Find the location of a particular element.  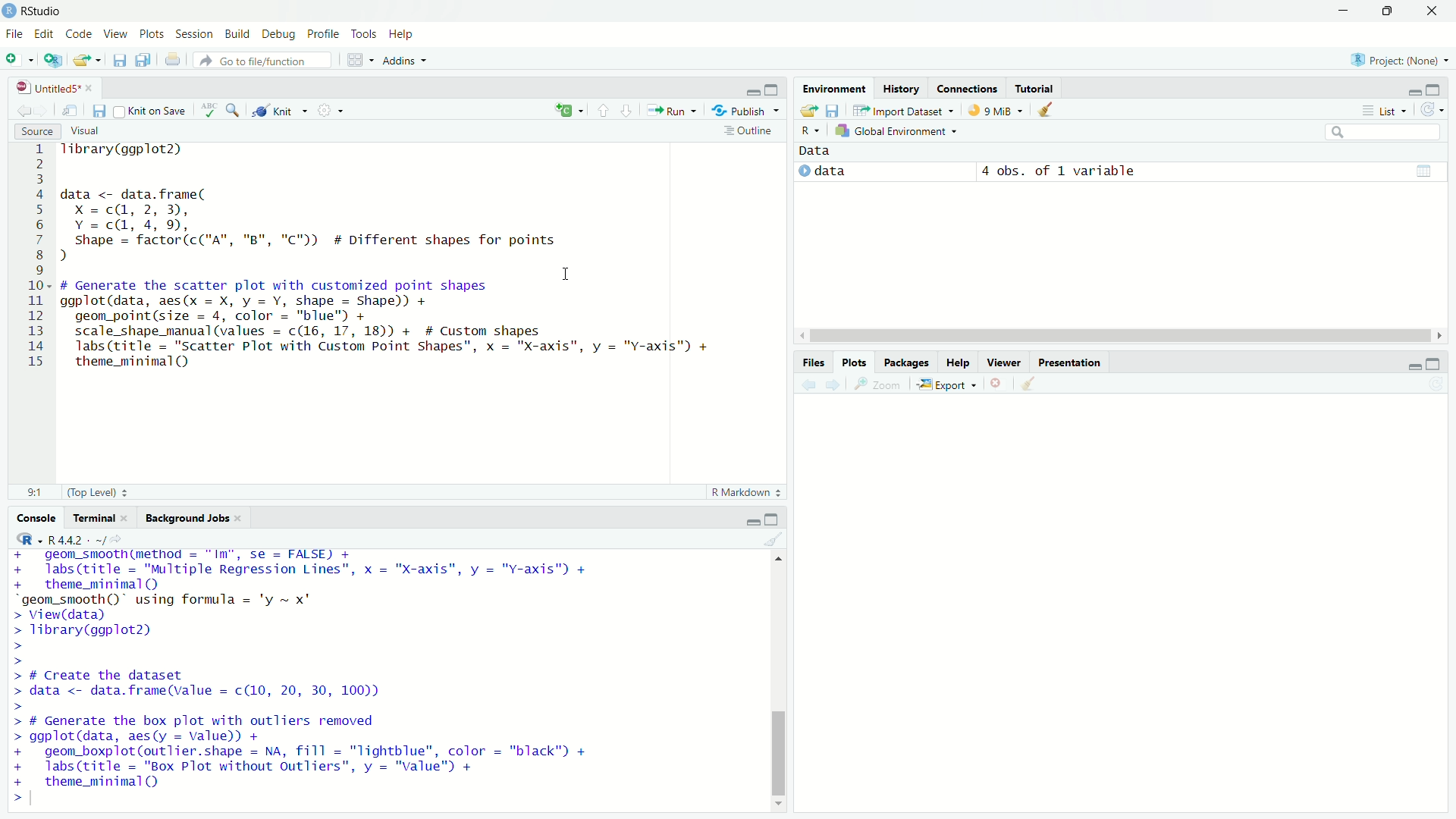

Background Jobs is located at coordinates (184, 517).